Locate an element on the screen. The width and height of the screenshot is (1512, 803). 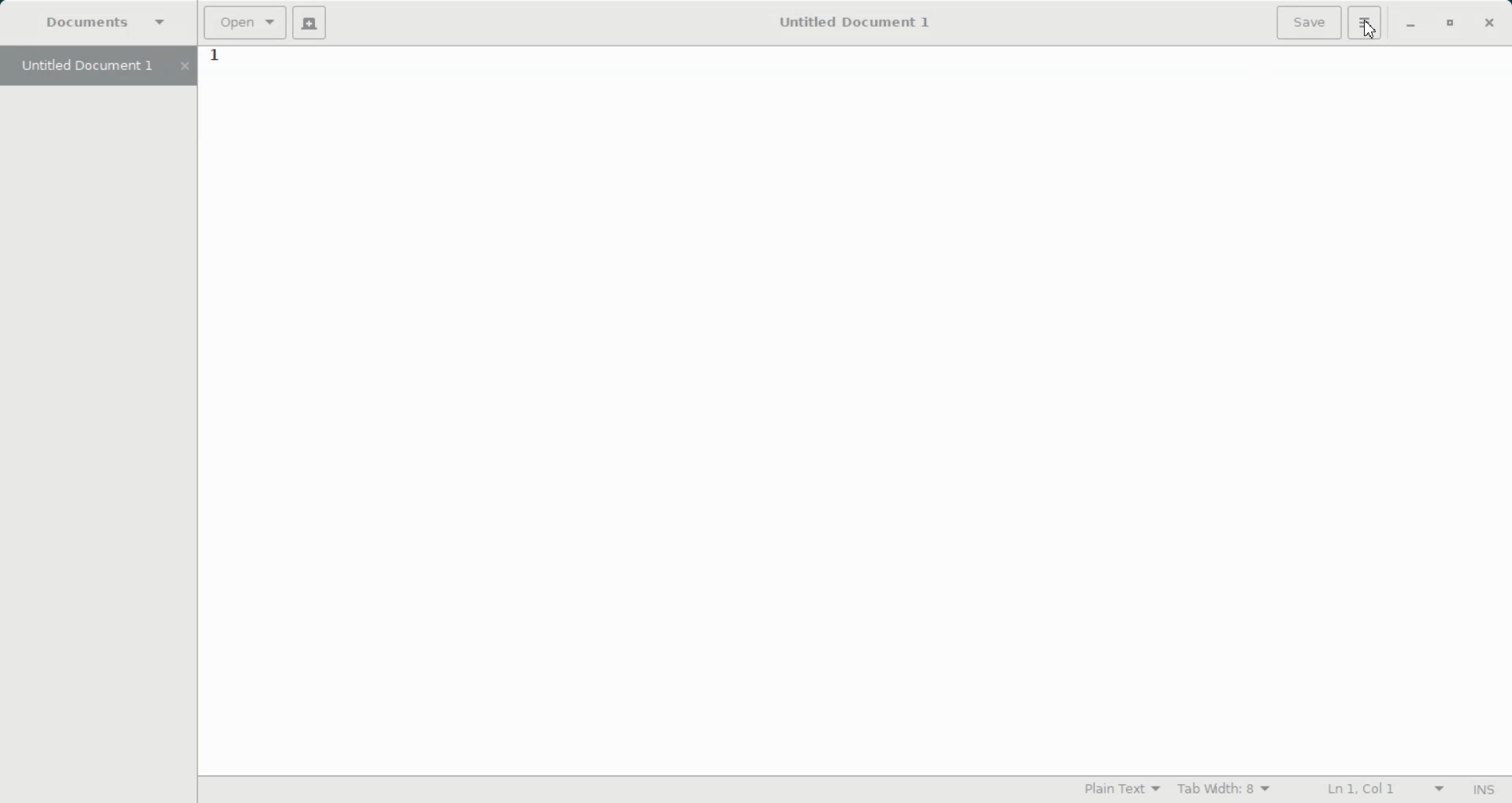
Hamburger setting is located at coordinates (1366, 23).